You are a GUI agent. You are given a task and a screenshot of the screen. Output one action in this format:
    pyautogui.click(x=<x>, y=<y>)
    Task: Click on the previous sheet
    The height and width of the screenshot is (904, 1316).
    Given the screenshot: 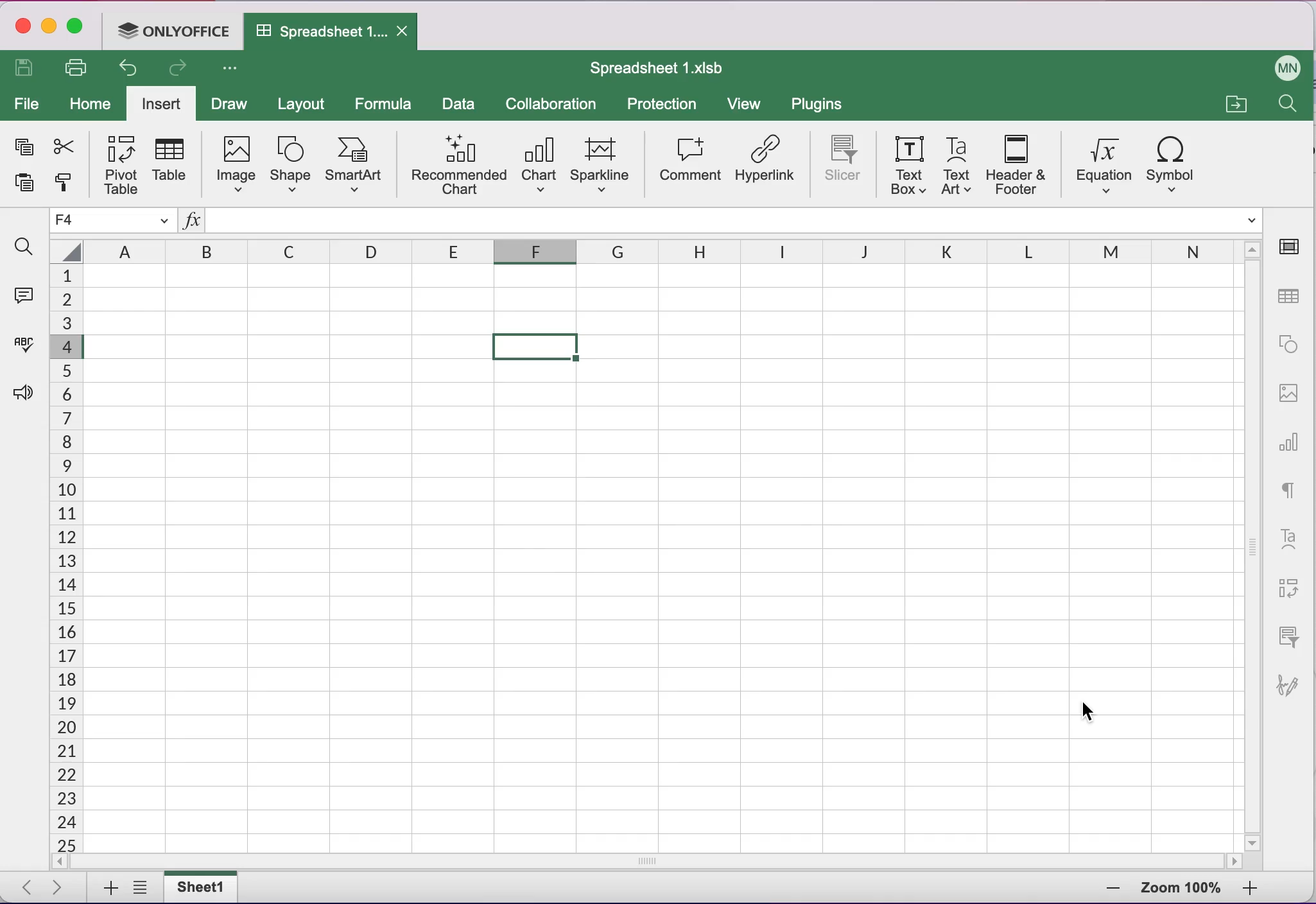 What is the action you would take?
    pyautogui.click(x=21, y=888)
    